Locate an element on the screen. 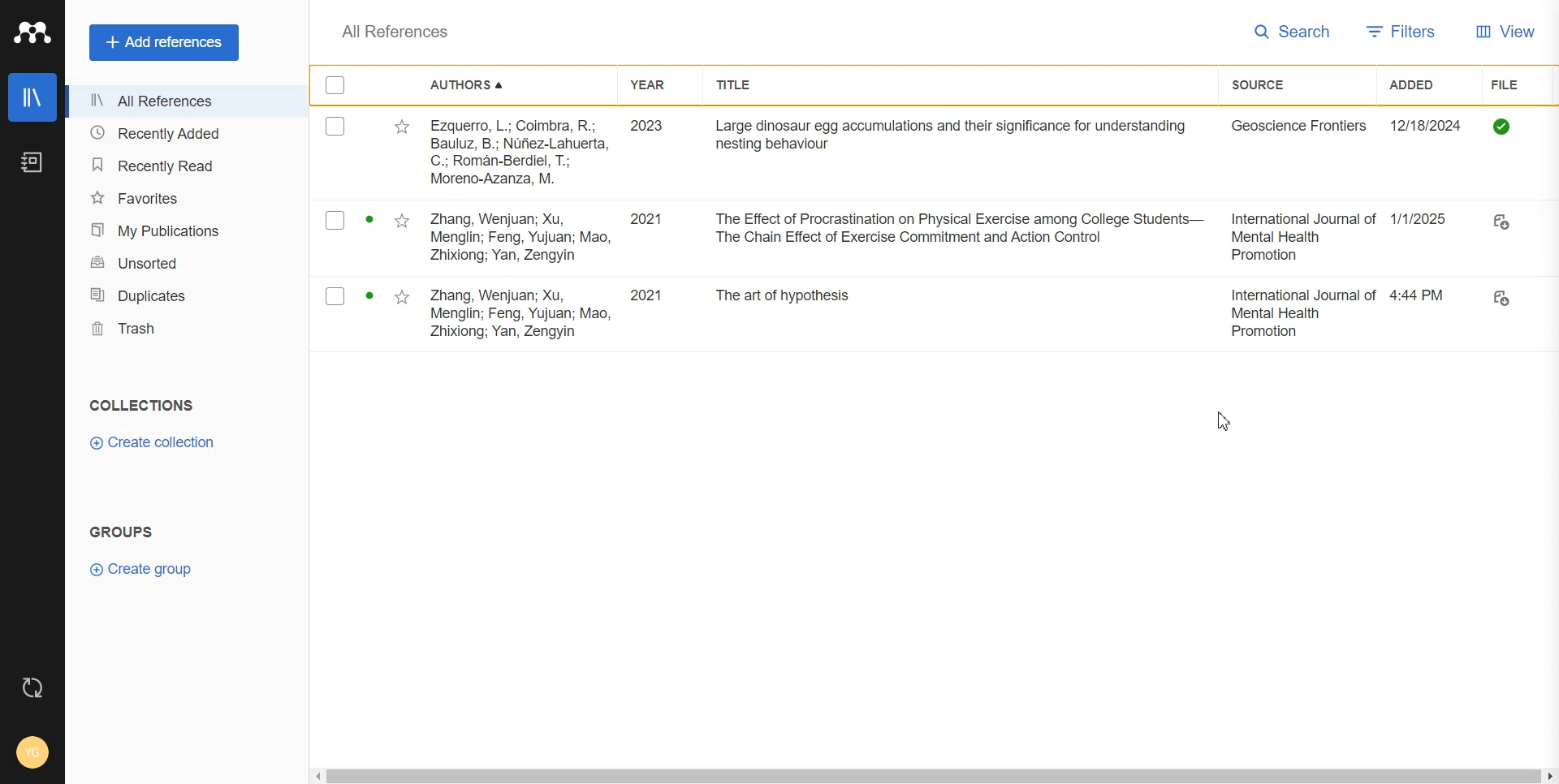  Logo is located at coordinates (32, 32).